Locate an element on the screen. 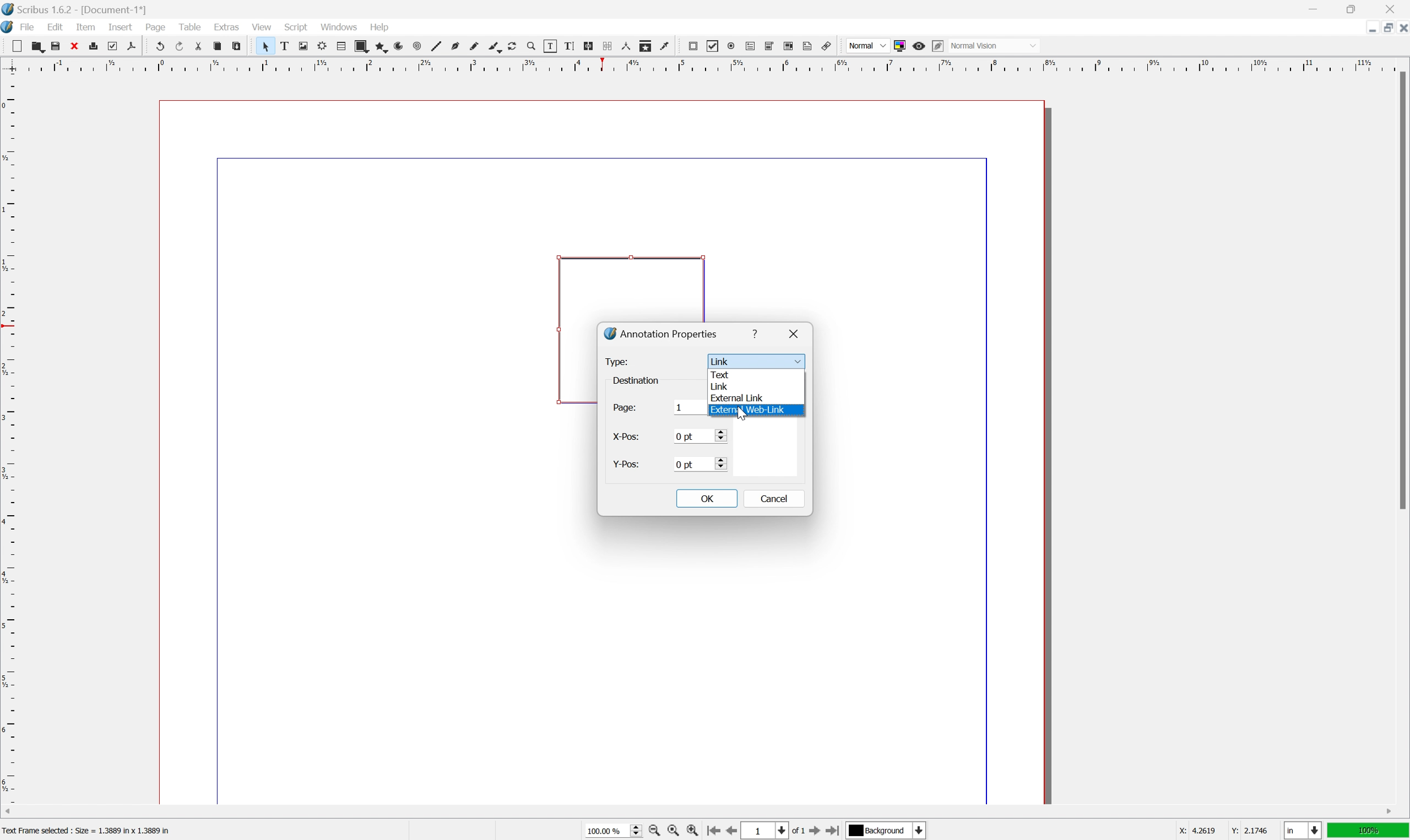 This screenshot has width=1410, height=840. page is located at coordinates (155, 27).